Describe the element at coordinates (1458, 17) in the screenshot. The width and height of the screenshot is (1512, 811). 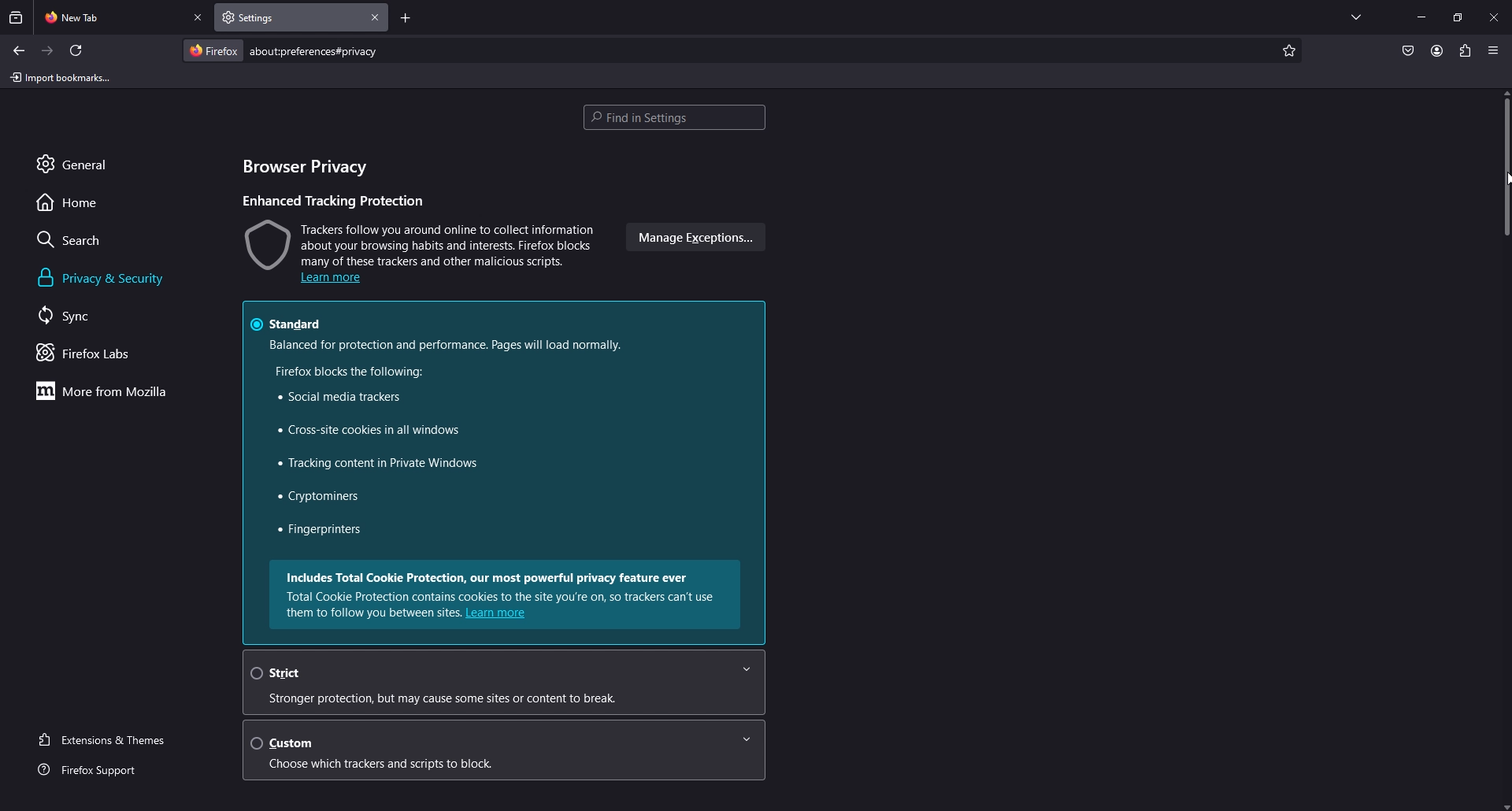
I see `resize` at that location.